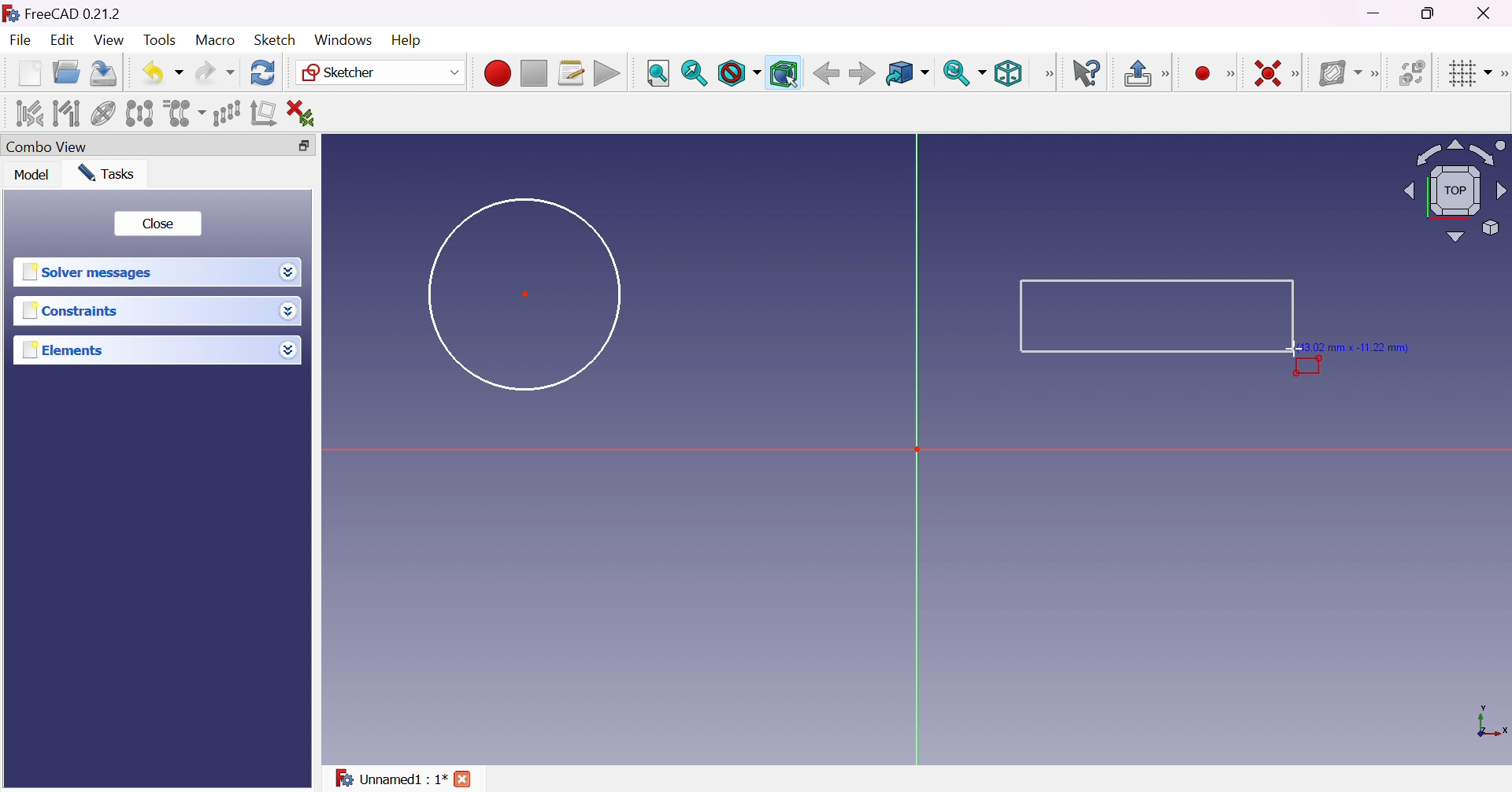 The height and width of the screenshot is (792, 1512). I want to click on Close, so click(157, 224).